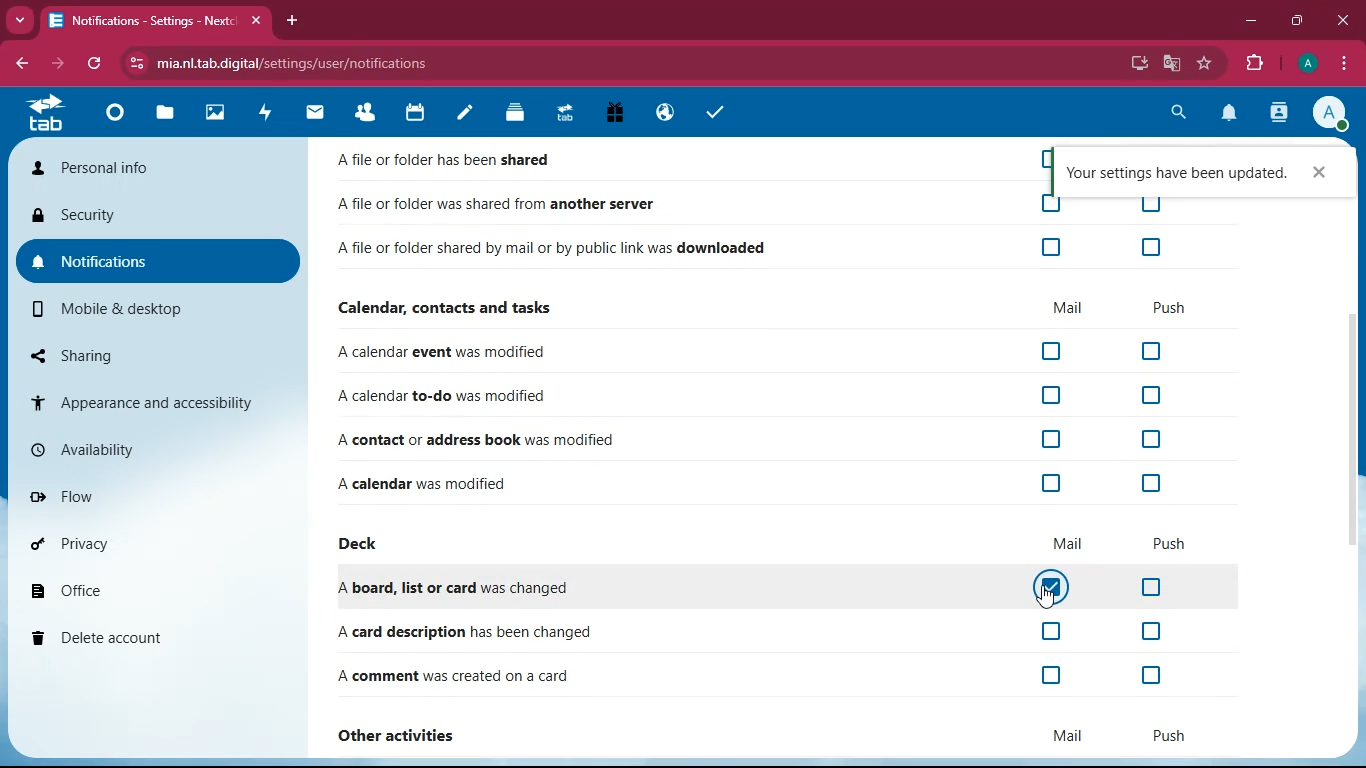 The height and width of the screenshot is (768, 1366). What do you see at coordinates (293, 20) in the screenshot?
I see `add tab` at bounding box center [293, 20].